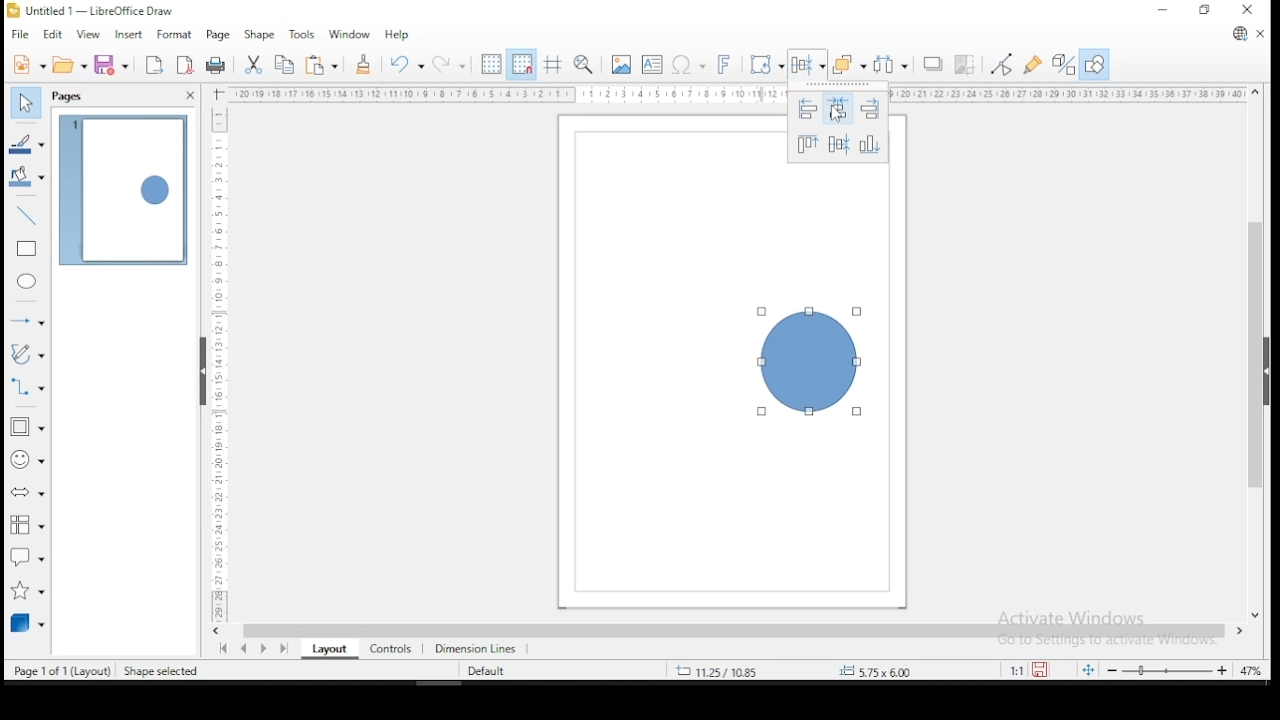 This screenshot has height=720, width=1280. Describe the element at coordinates (1085, 669) in the screenshot. I see `fir document to window` at that location.